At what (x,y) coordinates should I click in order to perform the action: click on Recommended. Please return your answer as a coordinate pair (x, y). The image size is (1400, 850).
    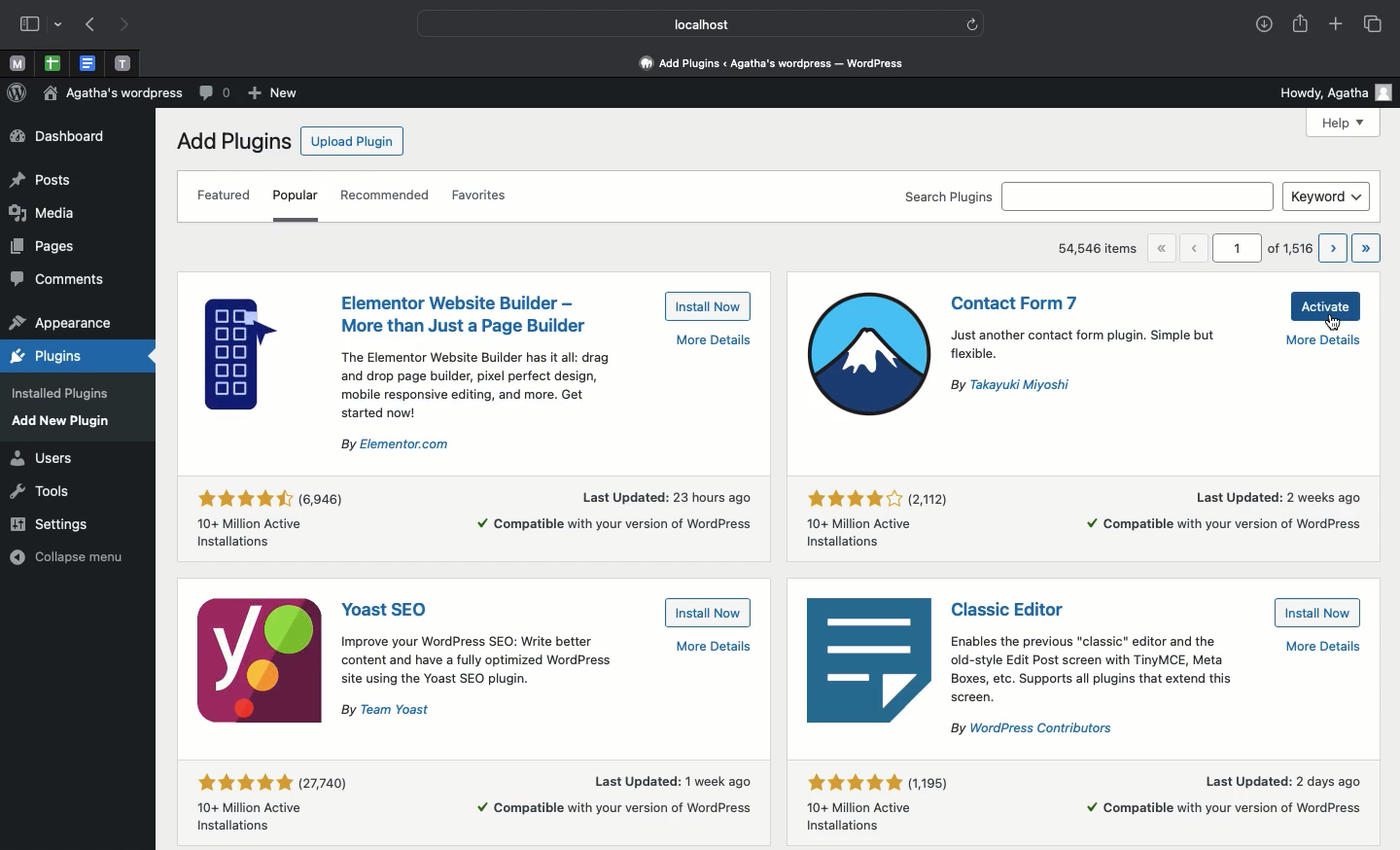
    Looking at the image, I should click on (388, 197).